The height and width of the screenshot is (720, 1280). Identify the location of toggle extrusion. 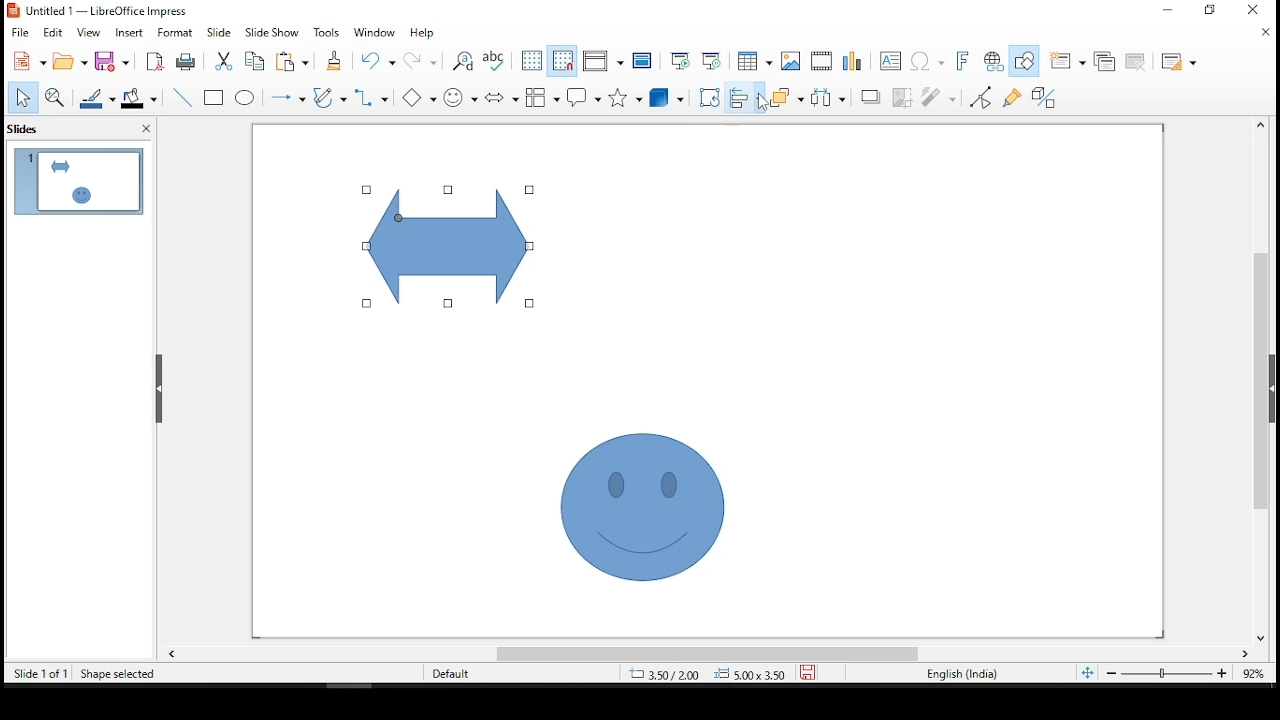
(1043, 97).